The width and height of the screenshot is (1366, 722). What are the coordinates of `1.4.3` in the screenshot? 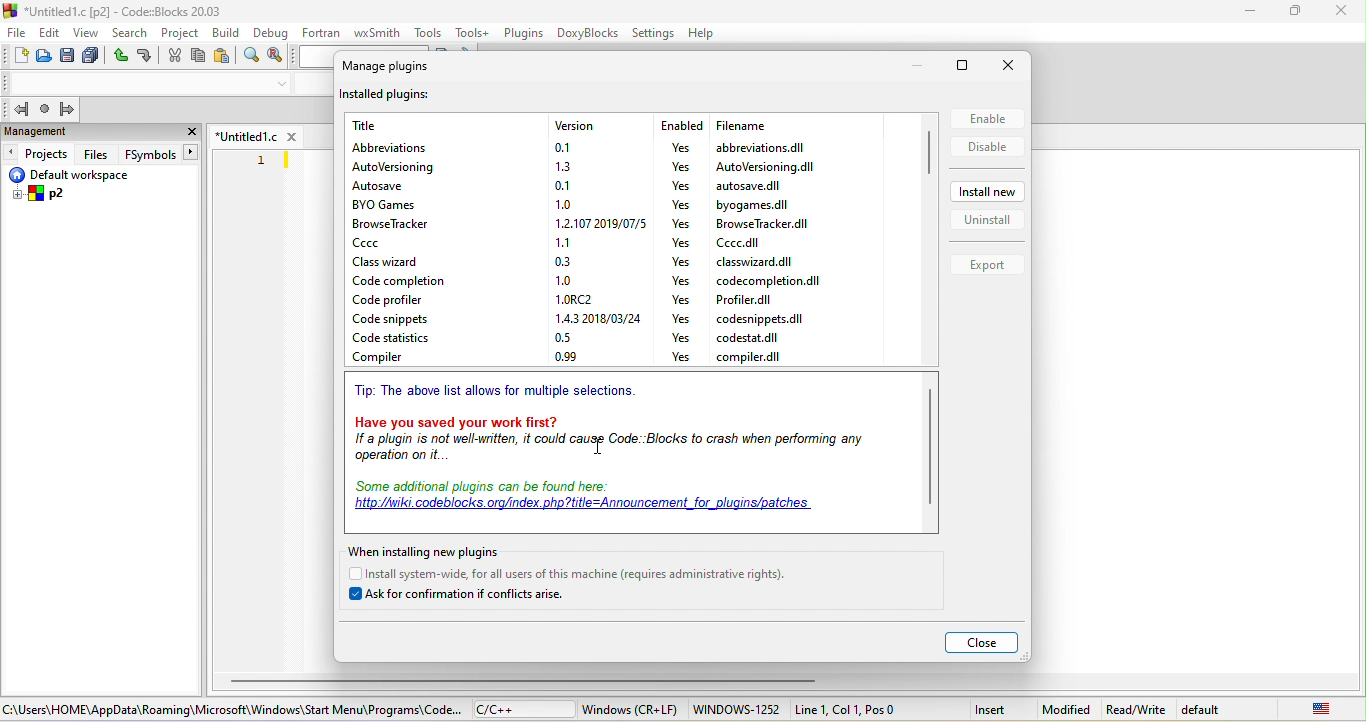 It's located at (588, 319).